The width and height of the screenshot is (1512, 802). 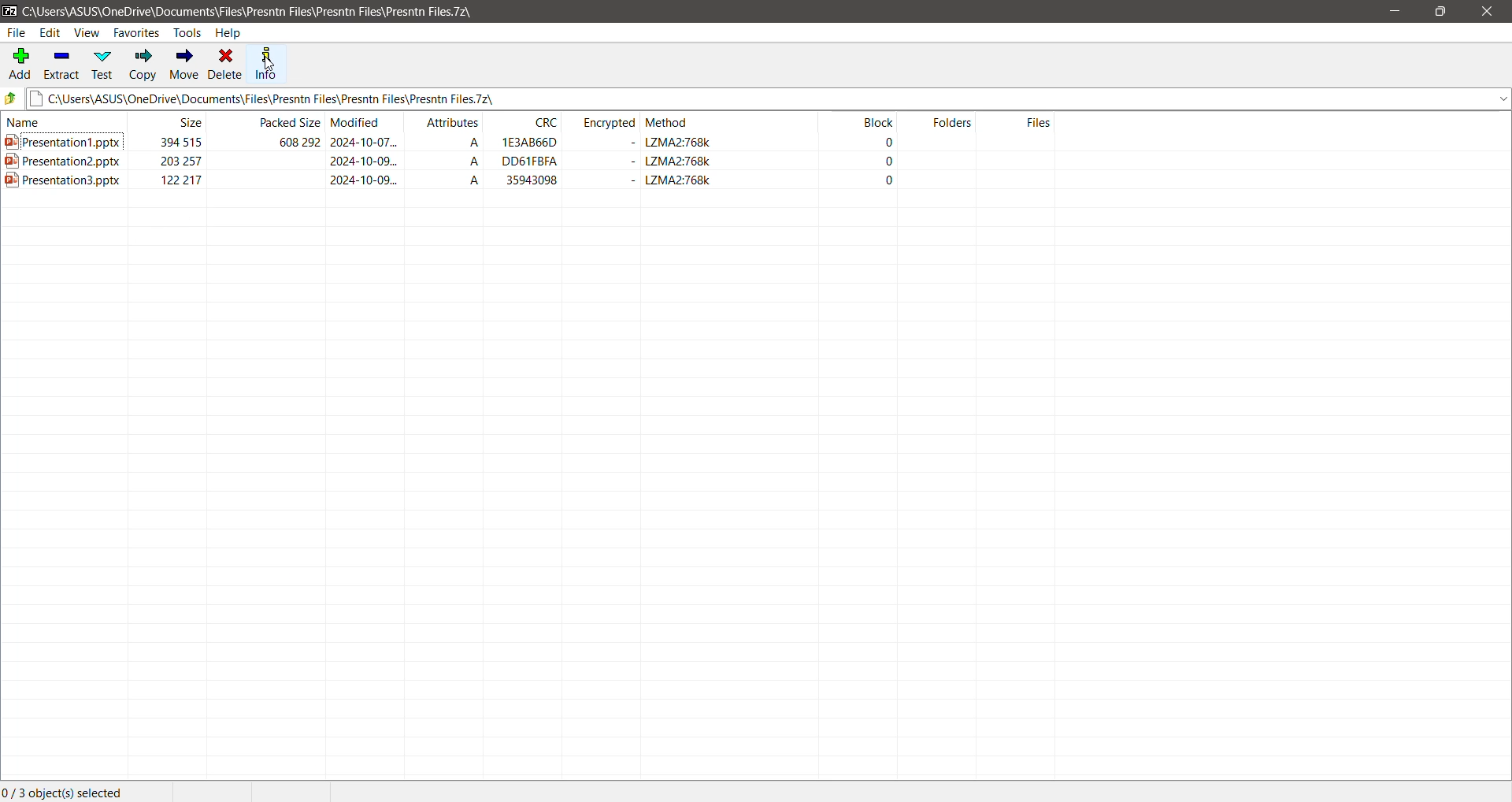 What do you see at coordinates (225, 65) in the screenshot?
I see `Delete` at bounding box center [225, 65].